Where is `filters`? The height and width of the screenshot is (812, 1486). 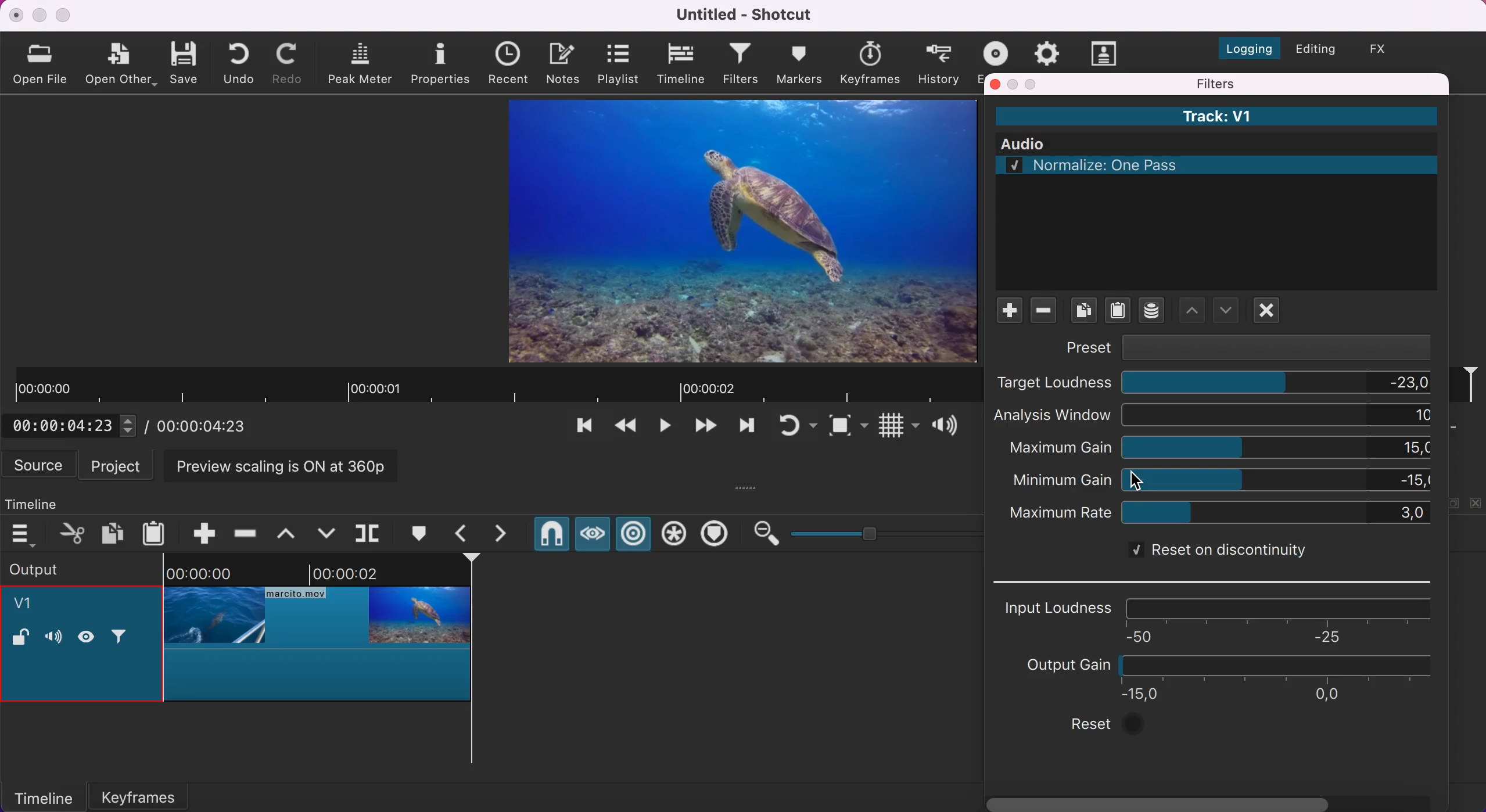
filters is located at coordinates (1274, 84).